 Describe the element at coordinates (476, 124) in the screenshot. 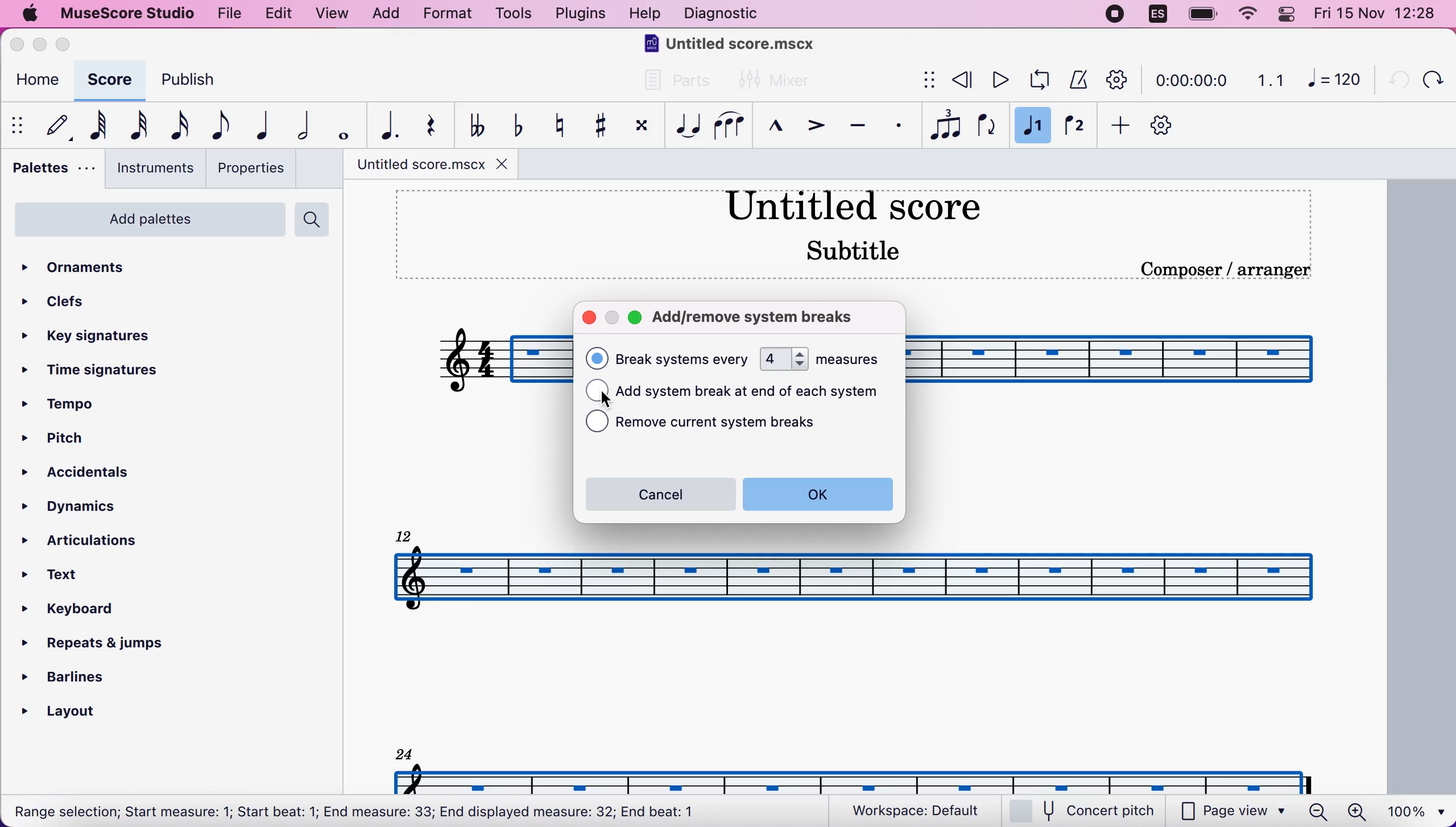

I see `toggle double flat` at that location.